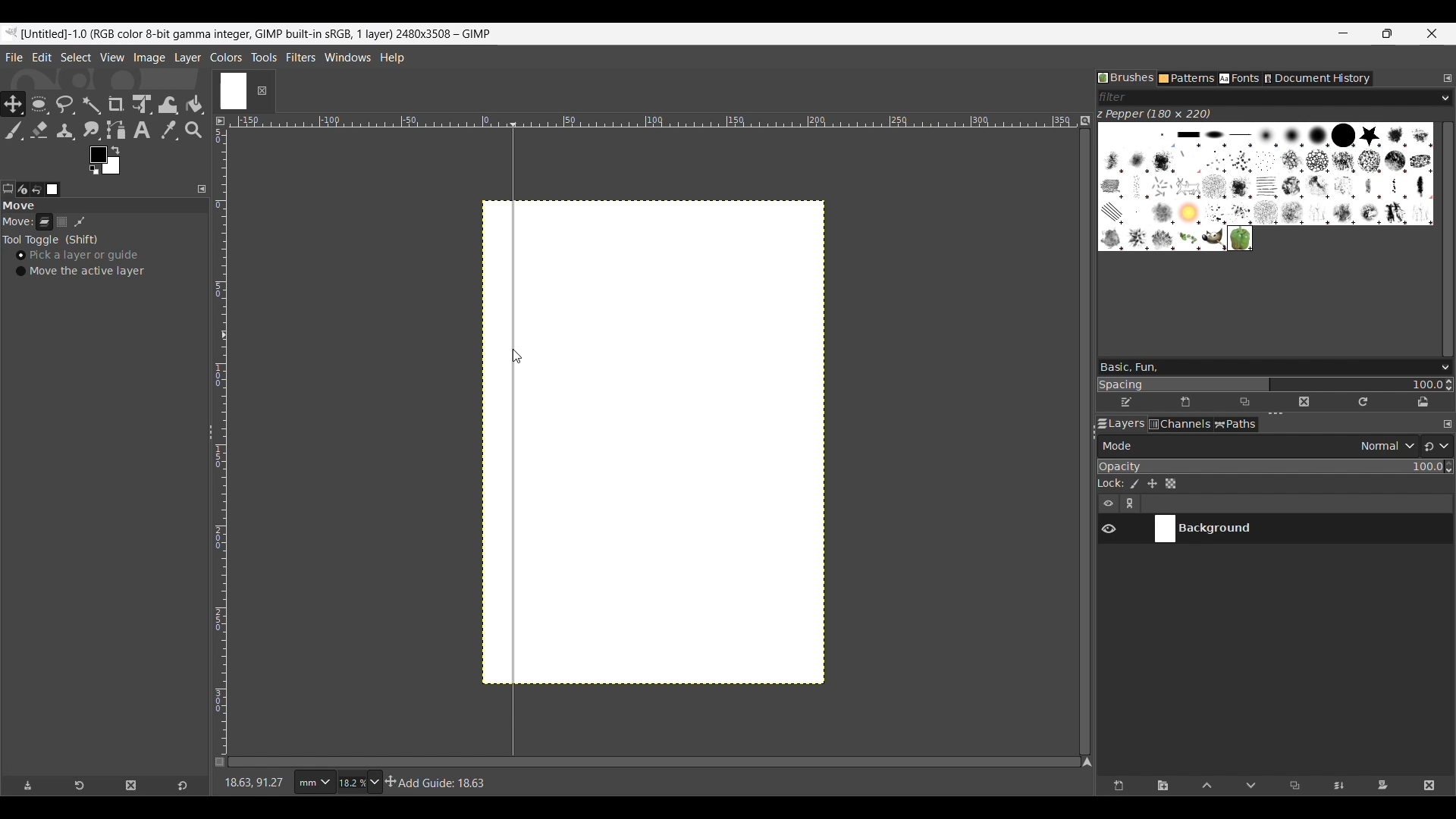  What do you see at coordinates (1185, 403) in the screenshot?
I see `Create new brush` at bounding box center [1185, 403].